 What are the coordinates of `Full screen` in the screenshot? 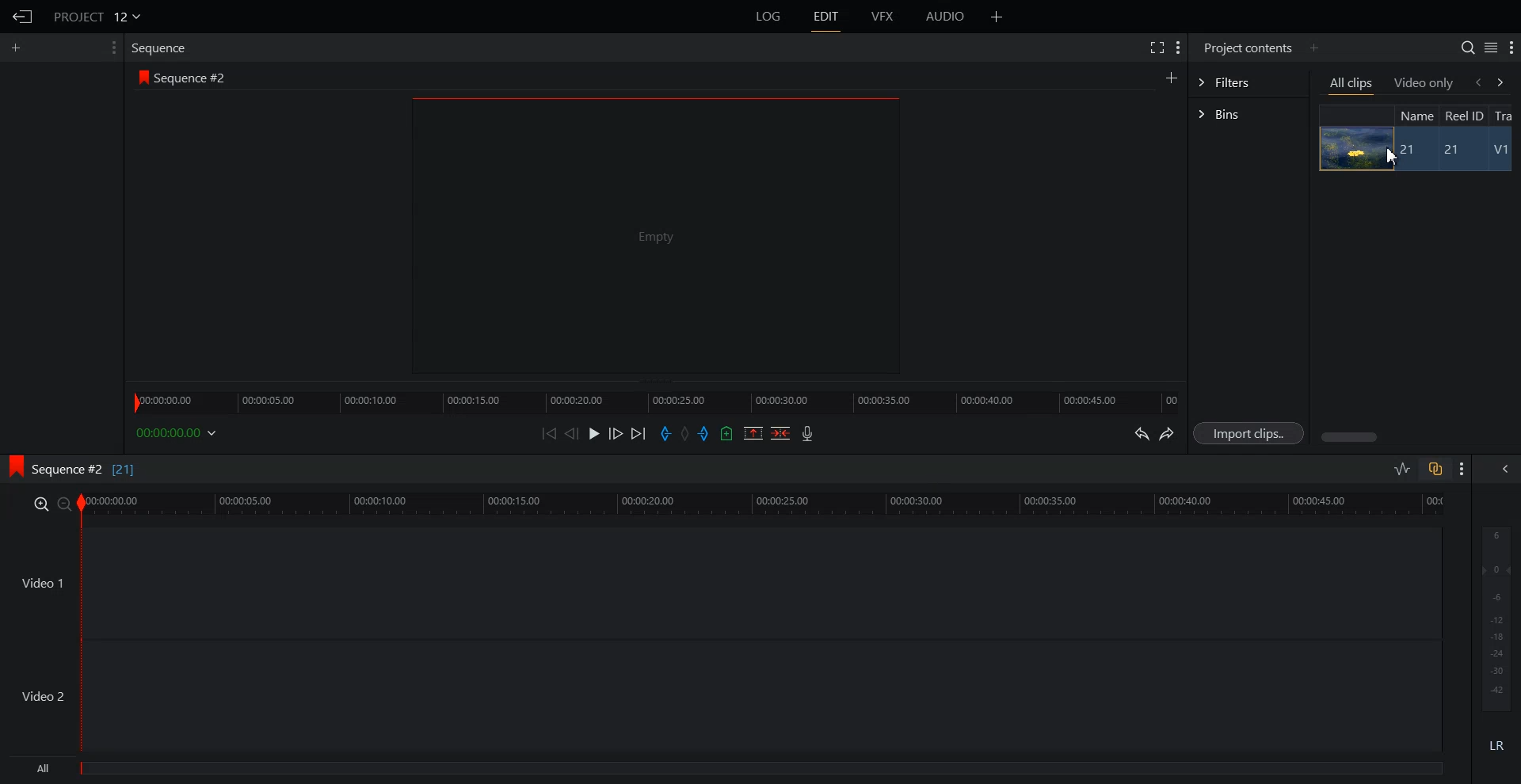 It's located at (1156, 46).